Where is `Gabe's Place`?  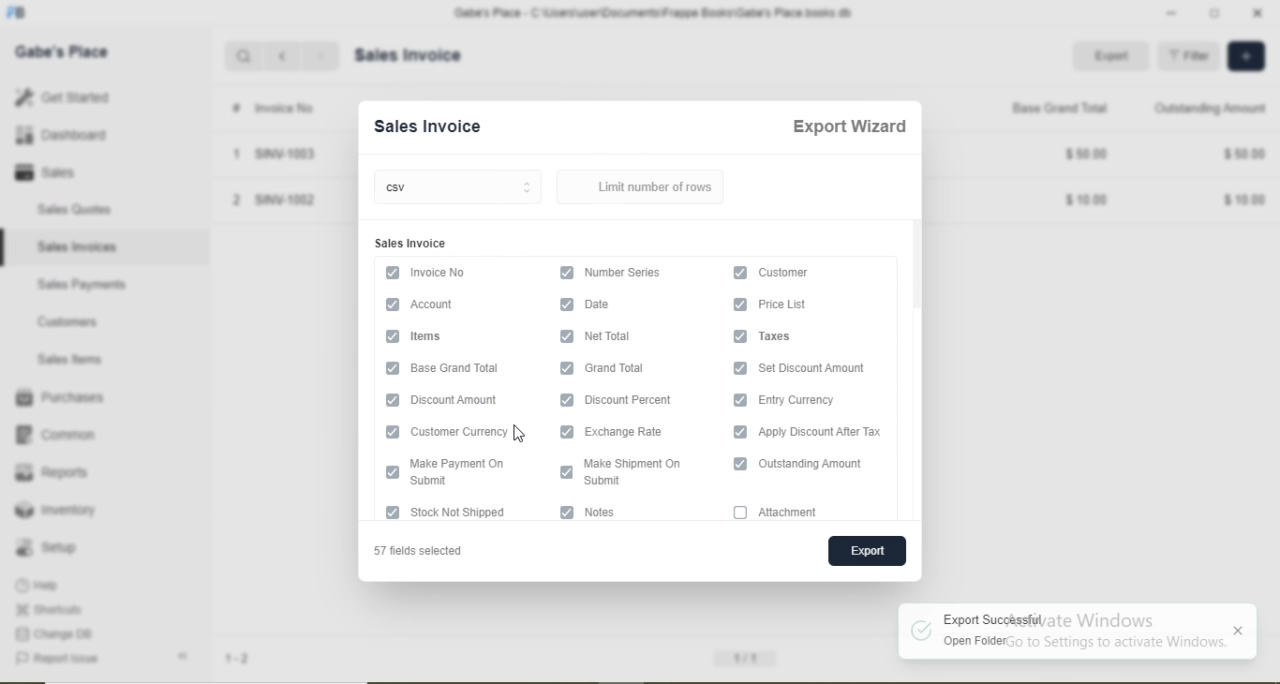 Gabe's Place is located at coordinates (64, 51).